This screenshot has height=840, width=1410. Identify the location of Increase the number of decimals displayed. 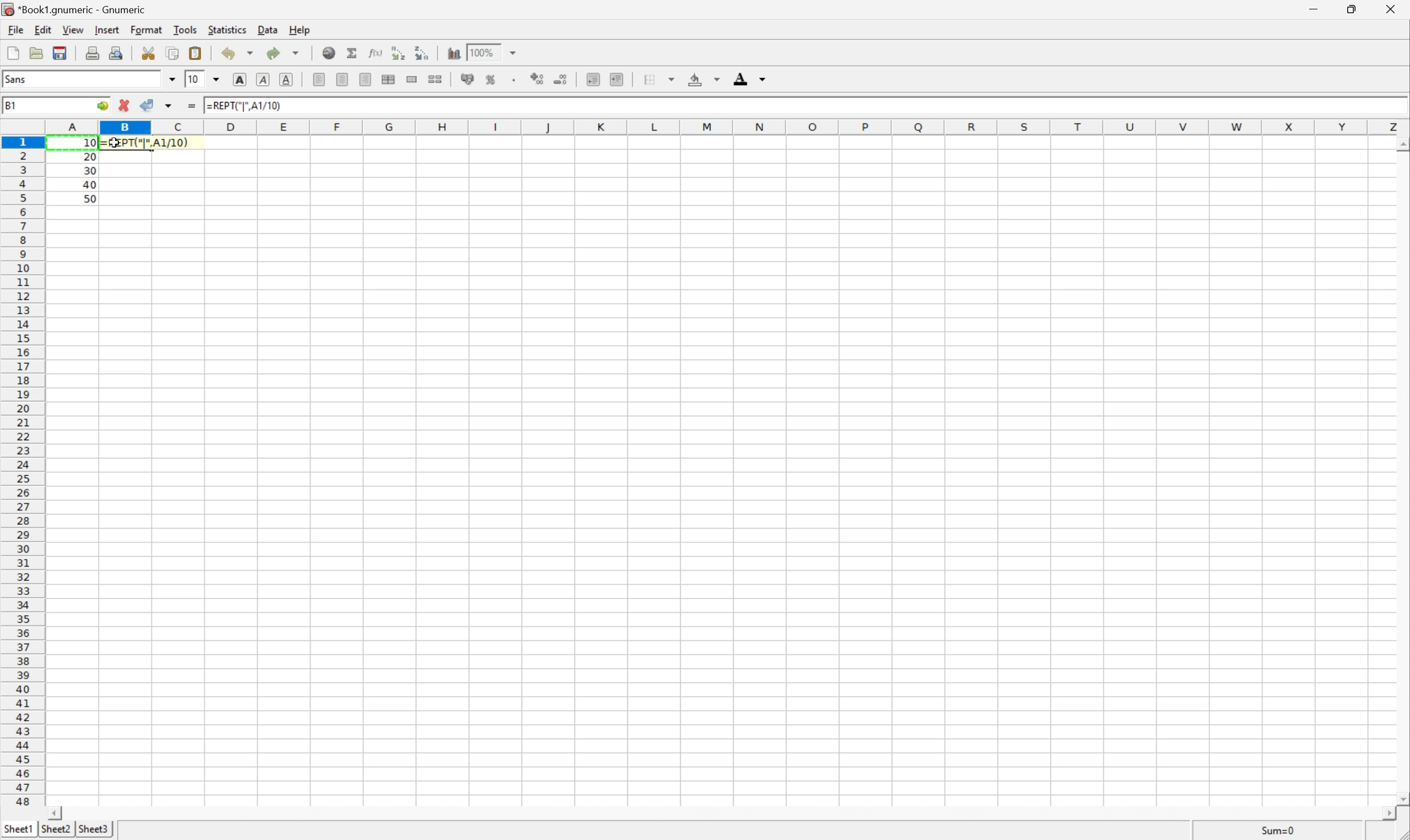
(536, 78).